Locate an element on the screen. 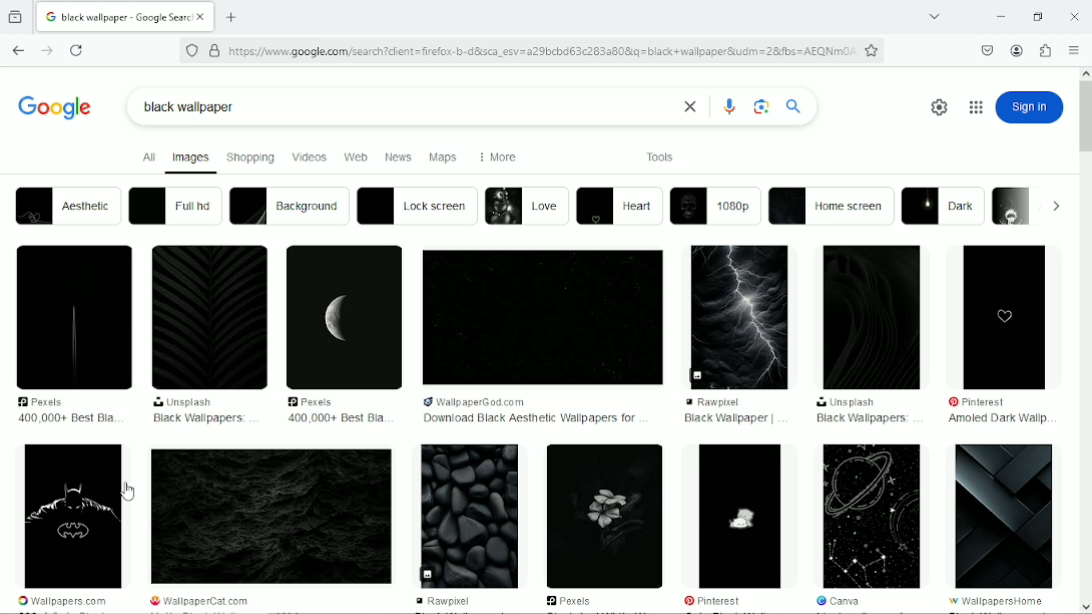 This screenshot has height=614, width=1092. go back is located at coordinates (17, 48).